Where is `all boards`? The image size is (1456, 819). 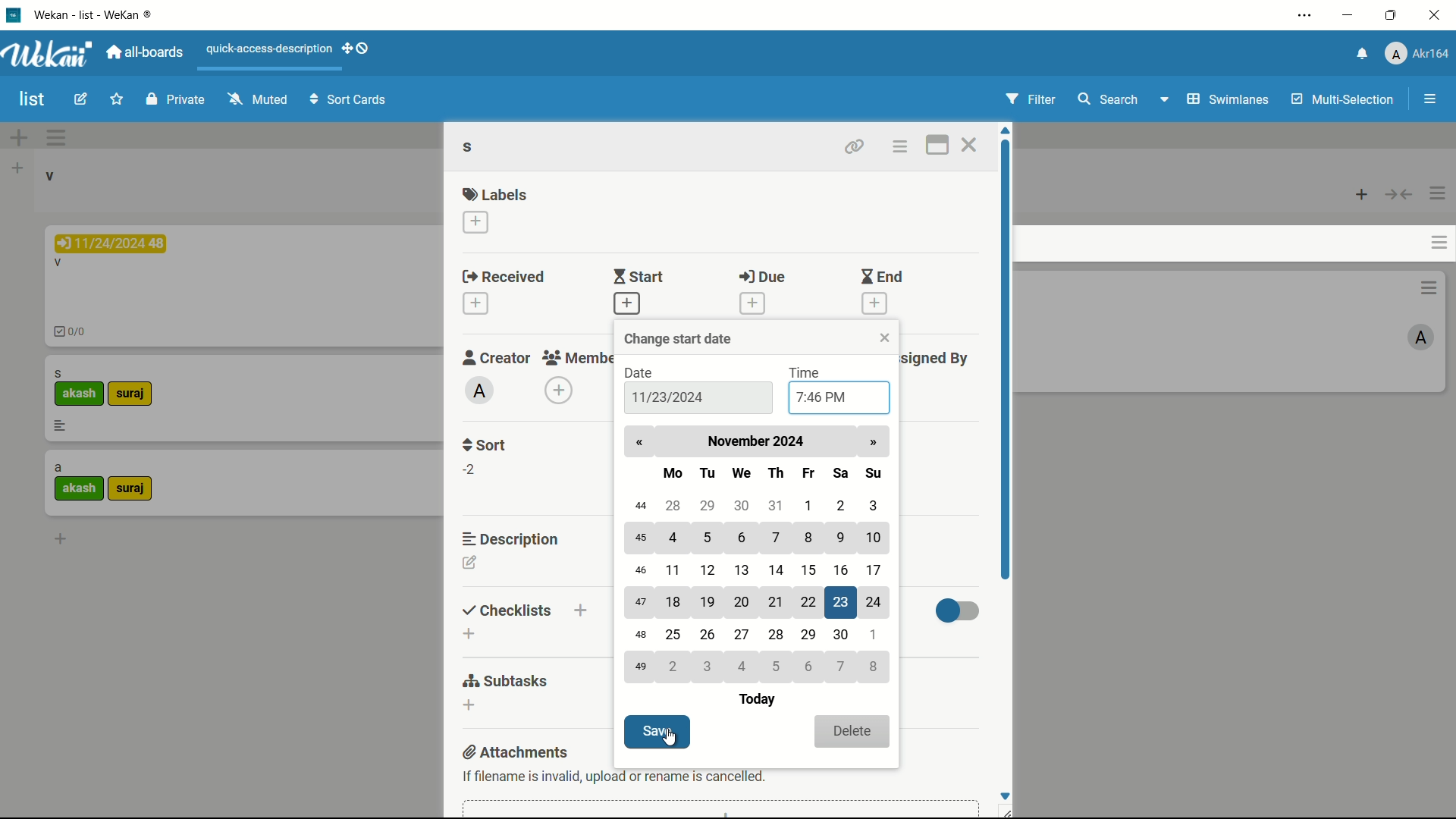 all boards is located at coordinates (143, 54).